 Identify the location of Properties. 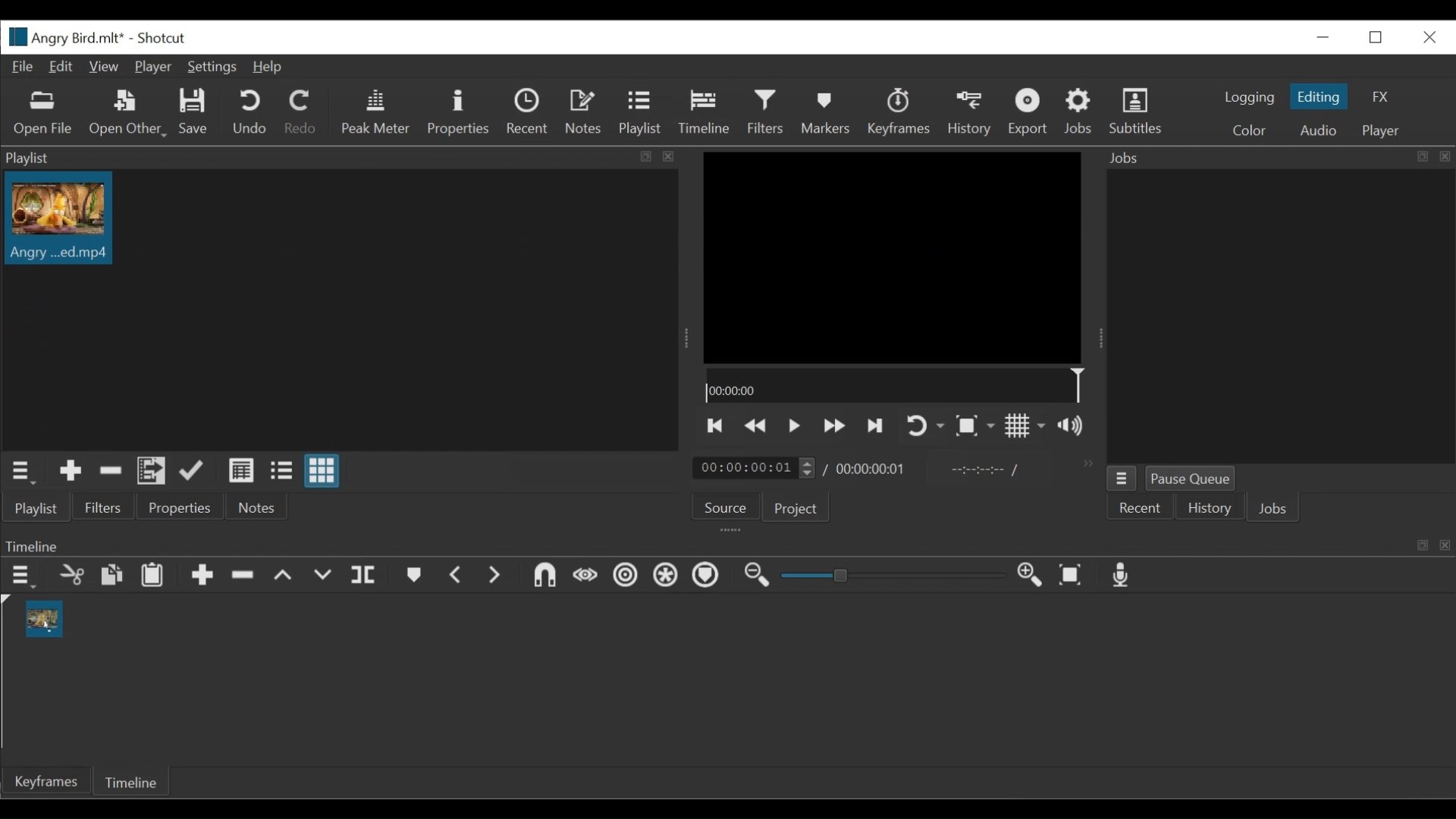
(461, 112).